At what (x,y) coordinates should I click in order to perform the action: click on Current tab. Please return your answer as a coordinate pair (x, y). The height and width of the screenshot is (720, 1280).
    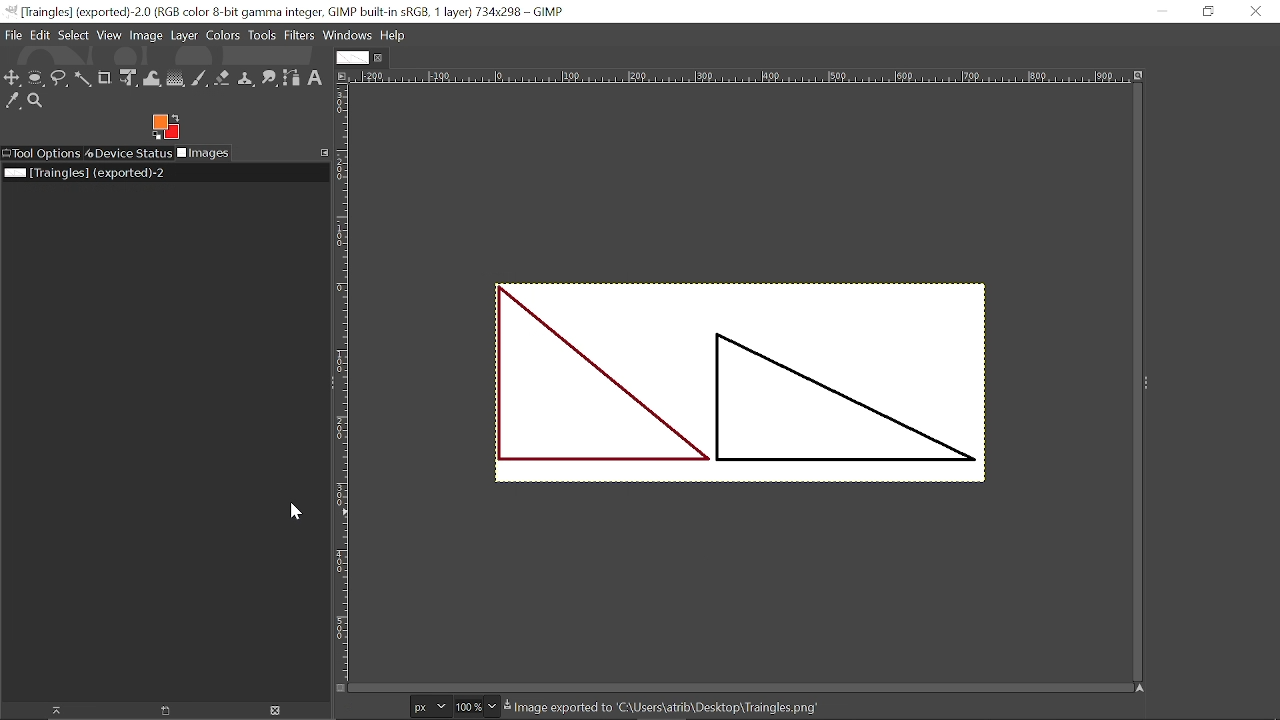
    Looking at the image, I should click on (352, 58).